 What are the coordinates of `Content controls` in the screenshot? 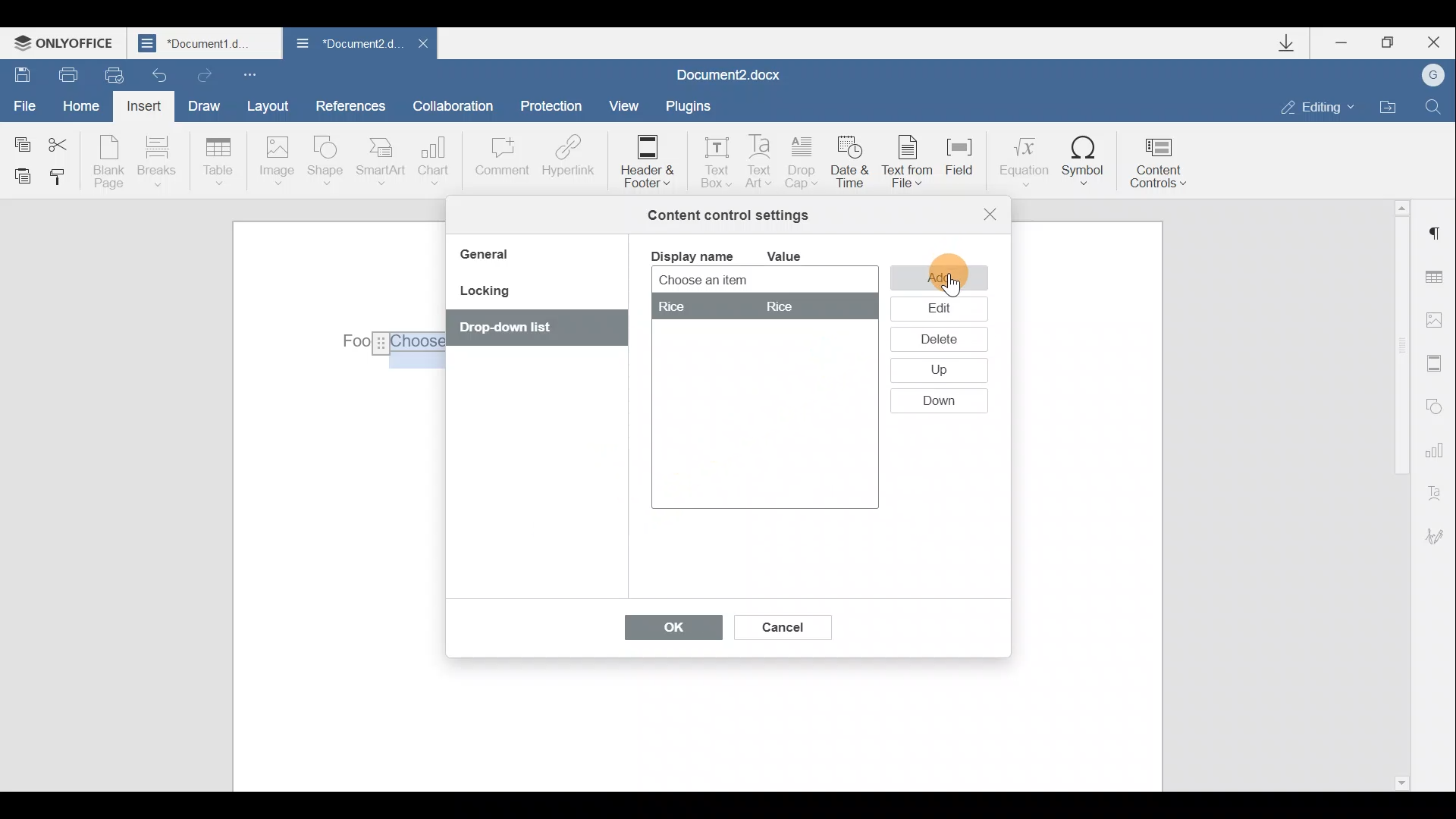 It's located at (1164, 158).